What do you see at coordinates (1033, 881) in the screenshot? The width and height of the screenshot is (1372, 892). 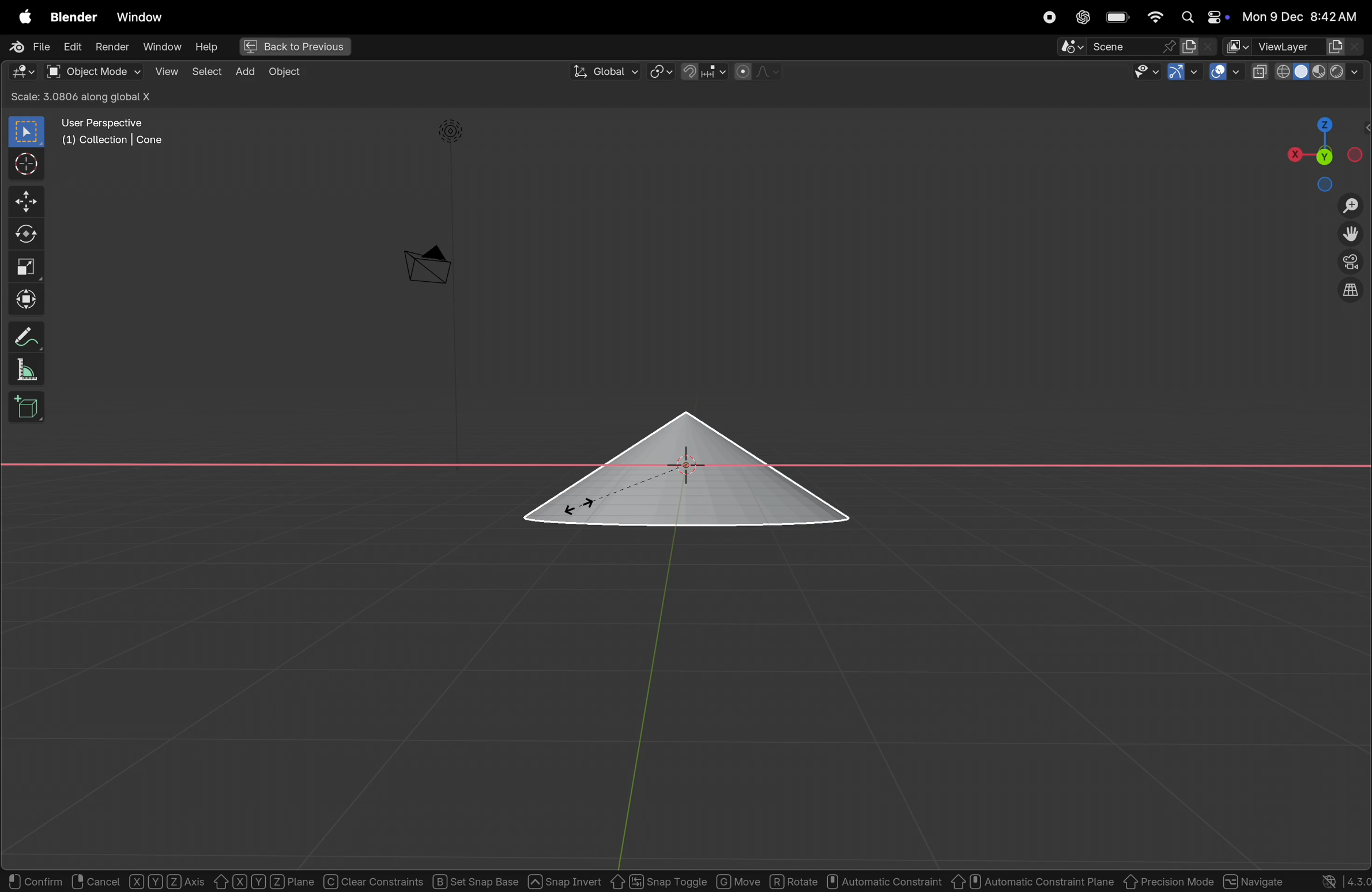 I see `automatic constraint pane` at bounding box center [1033, 881].